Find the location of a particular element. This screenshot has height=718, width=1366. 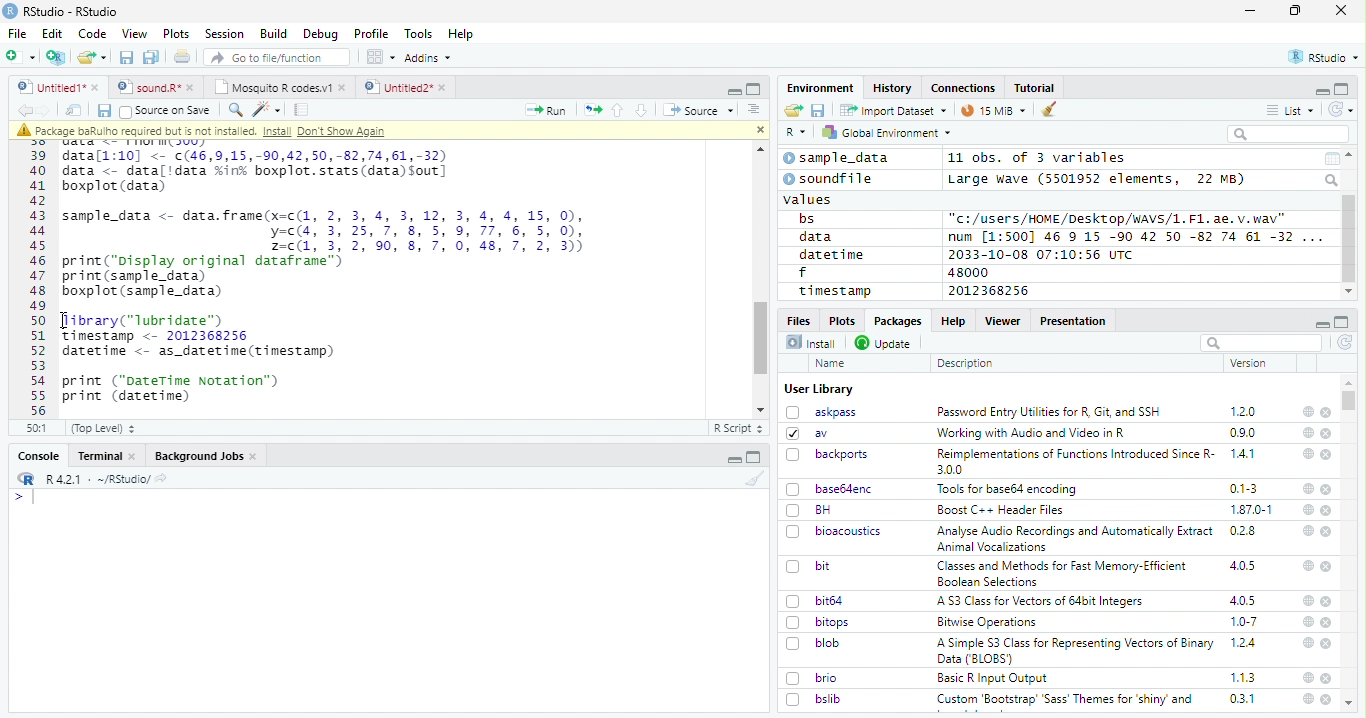

0.2.8 is located at coordinates (1244, 530).